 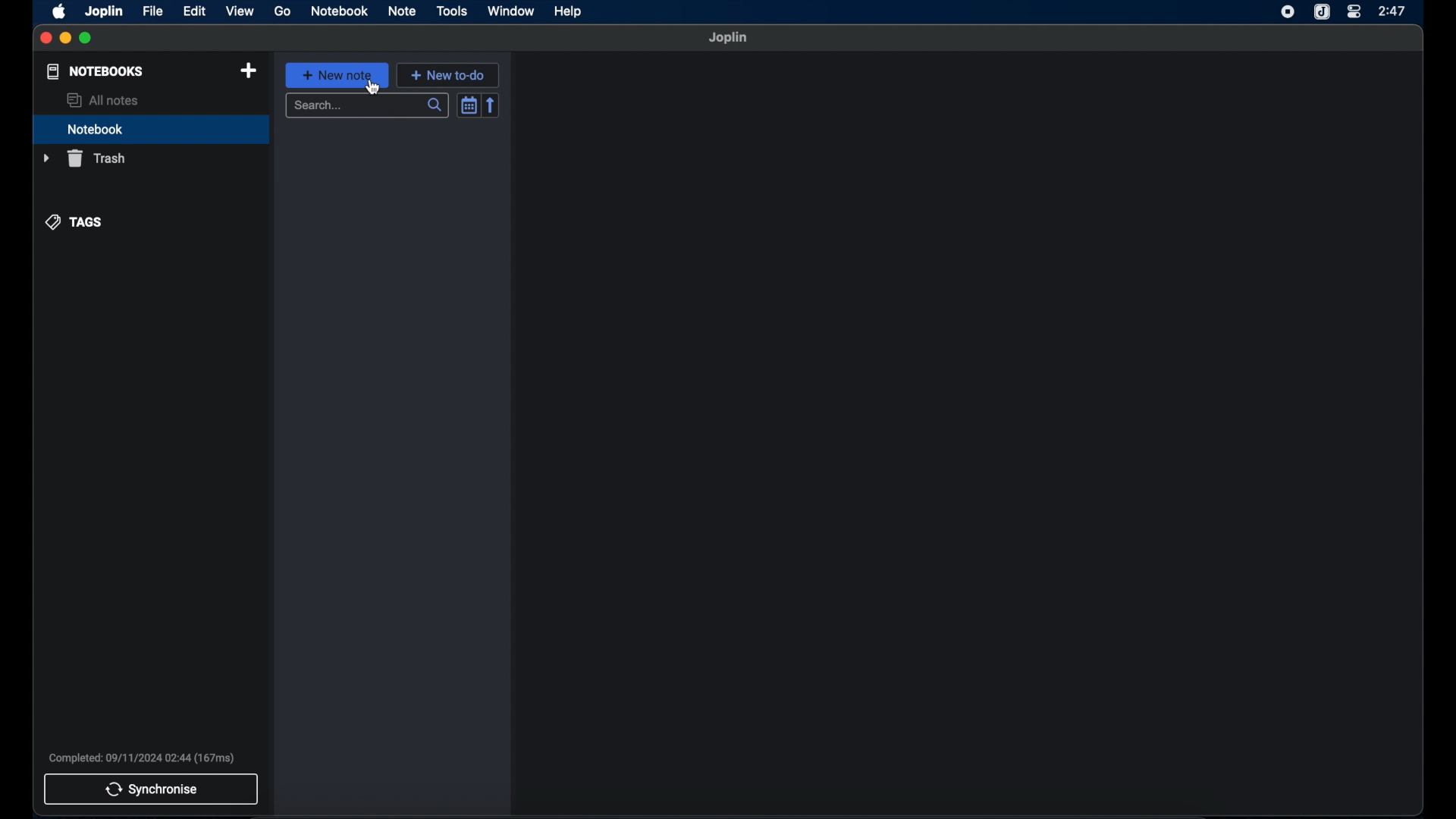 I want to click on empty state, so click(x=971, y=434).